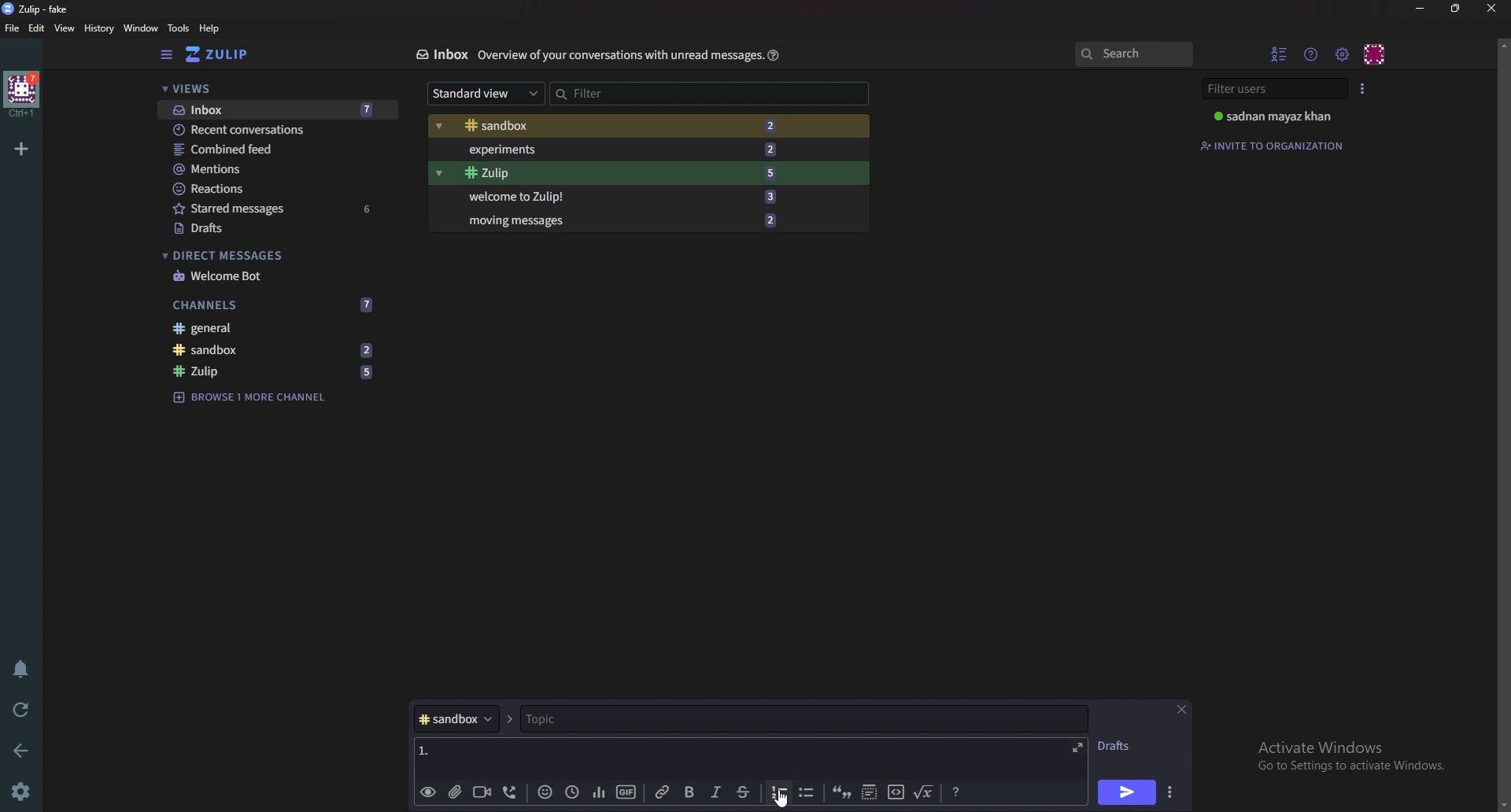 The image size is (1511, 812). I want to click on View, so click(65, 29).